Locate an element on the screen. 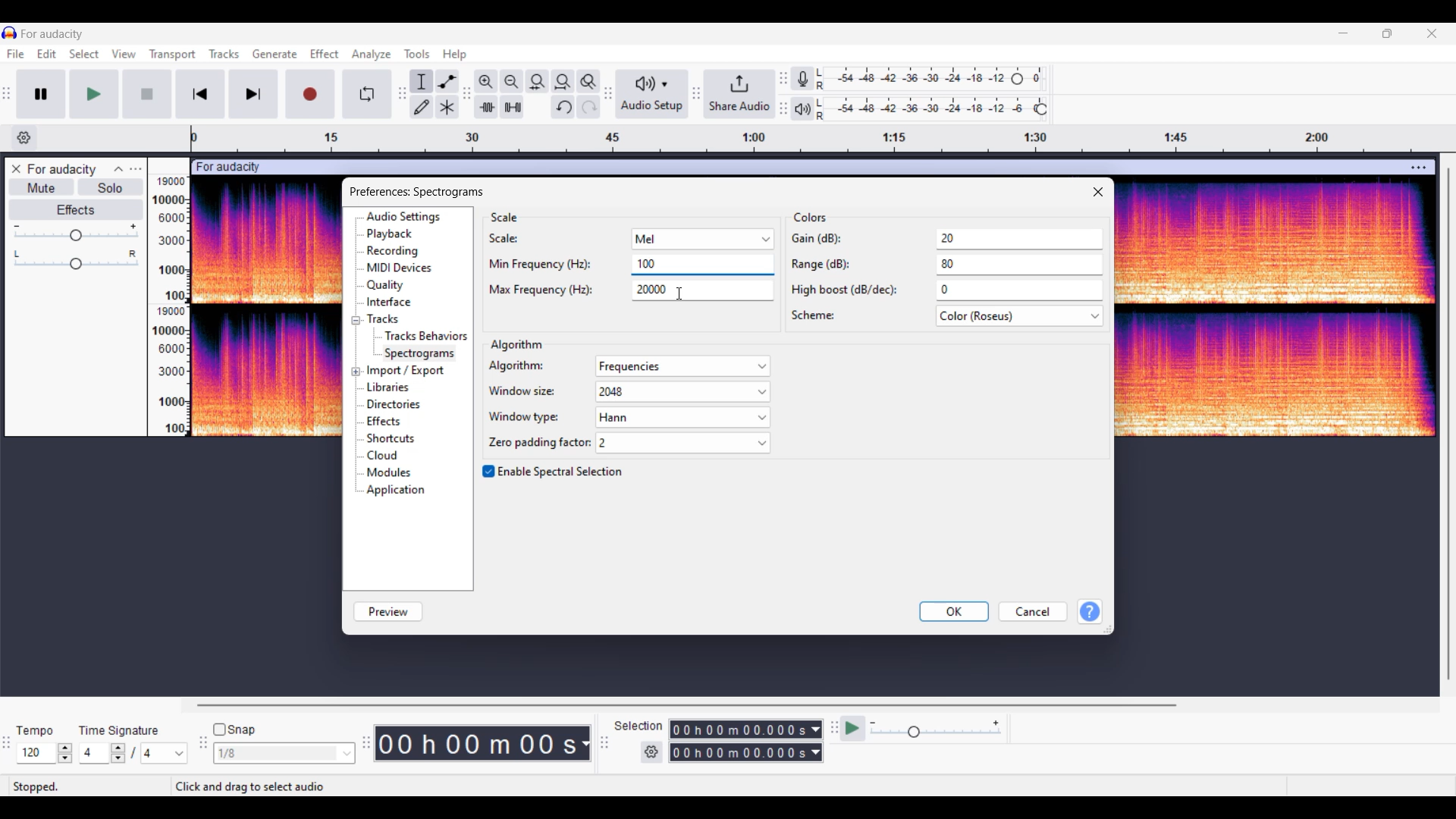 This screenshot has width=1456, height=819. Solo is located at coordinates (111, 187).